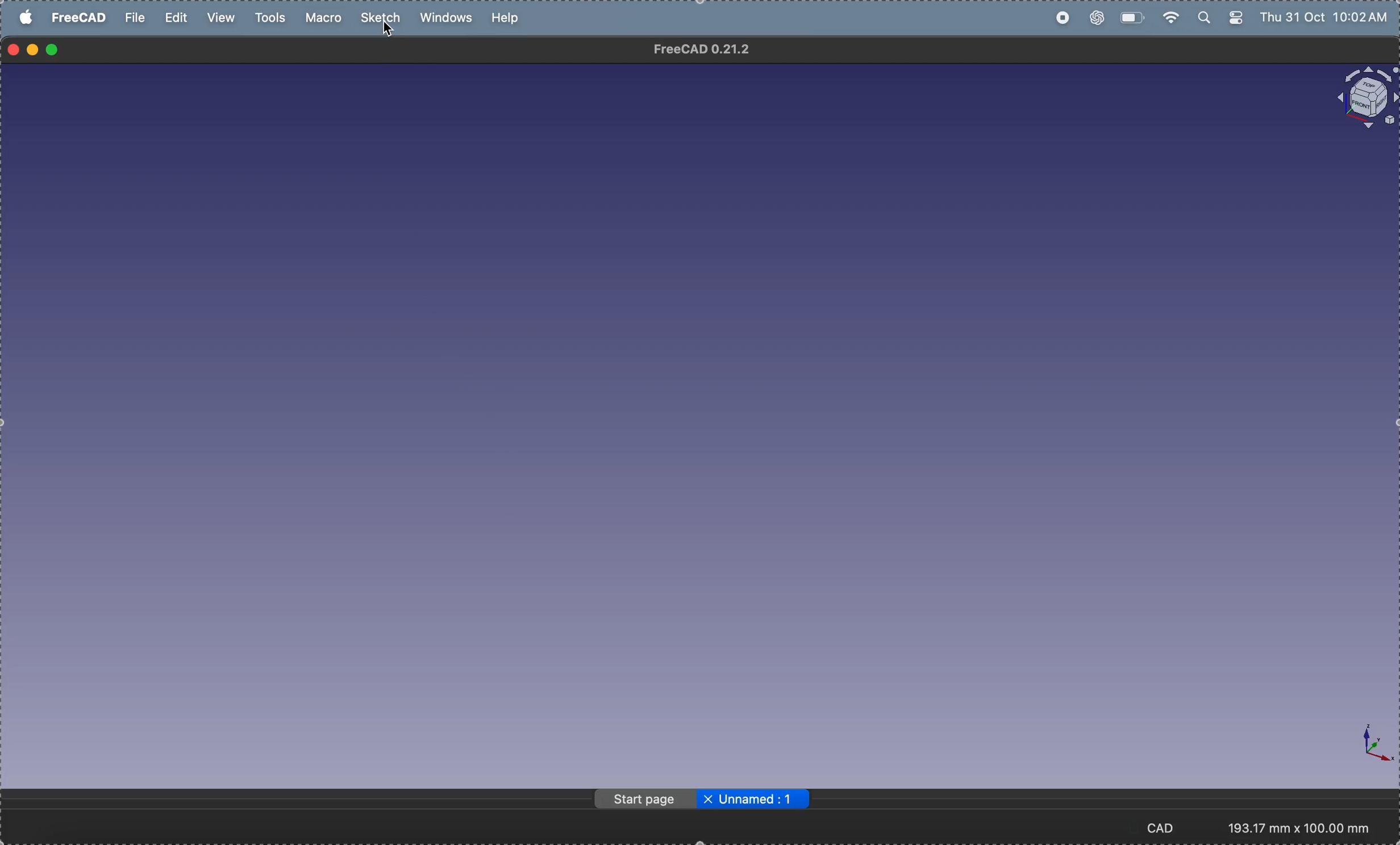  I want to click on closing window, so click(14, 50).